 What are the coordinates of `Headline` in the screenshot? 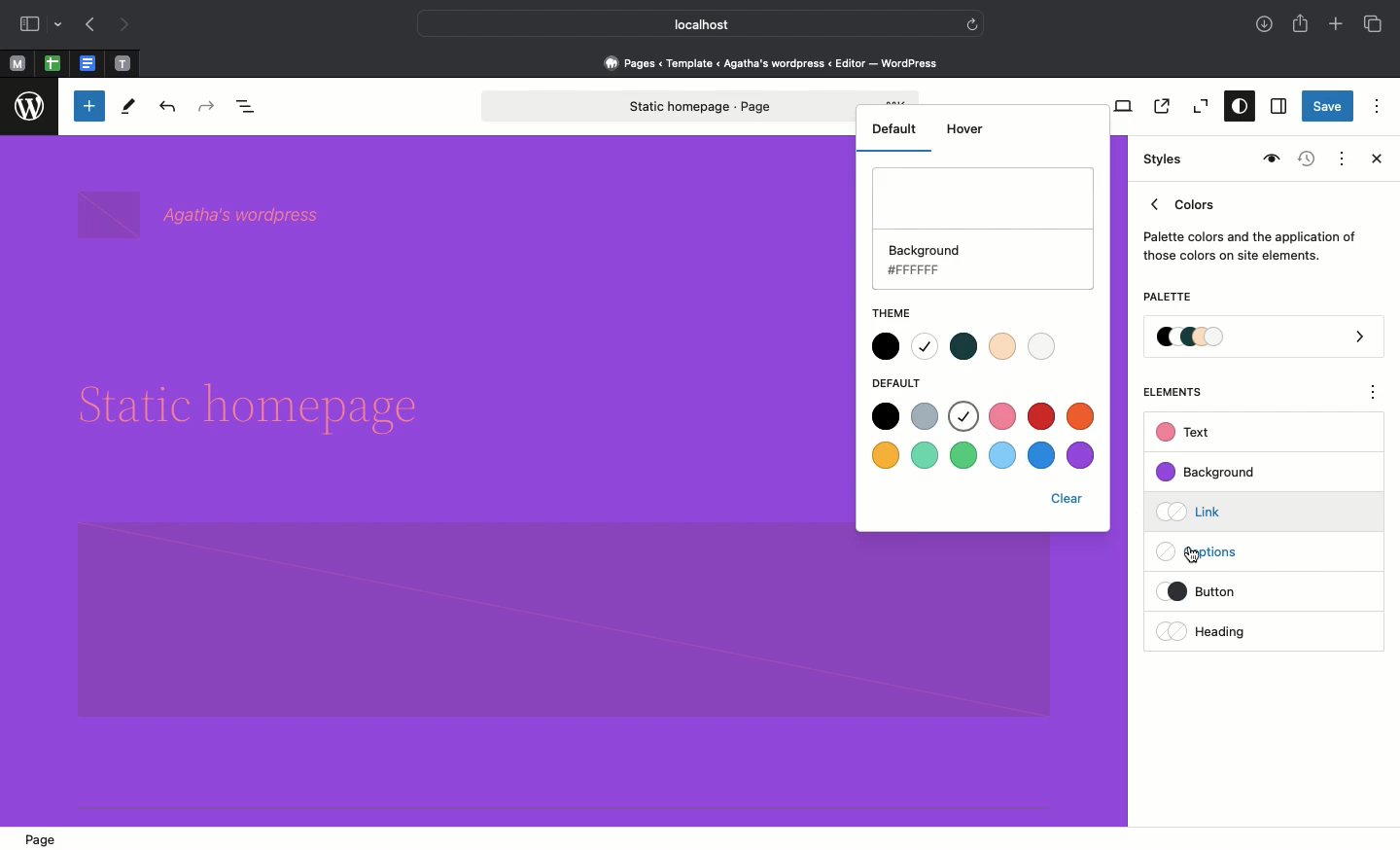 It's located at (264, 408).